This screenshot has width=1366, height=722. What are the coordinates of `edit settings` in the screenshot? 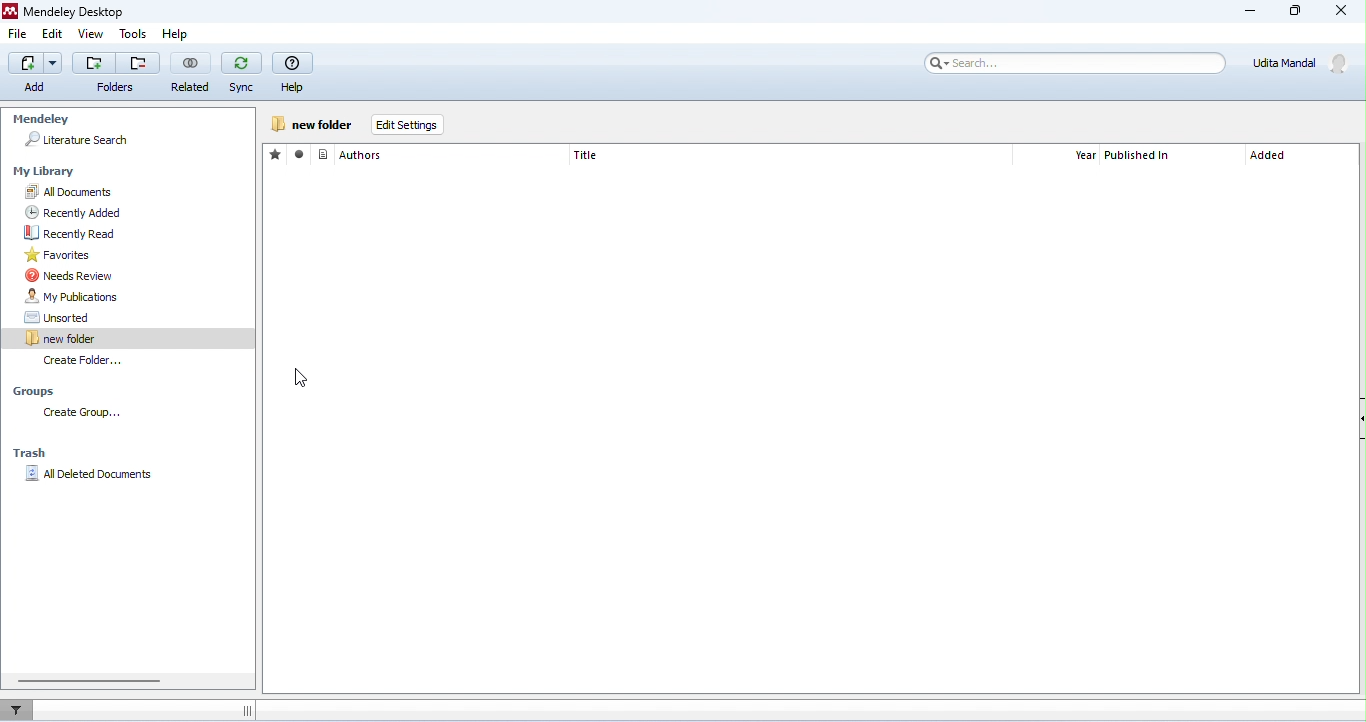 It's located at (405, 125).